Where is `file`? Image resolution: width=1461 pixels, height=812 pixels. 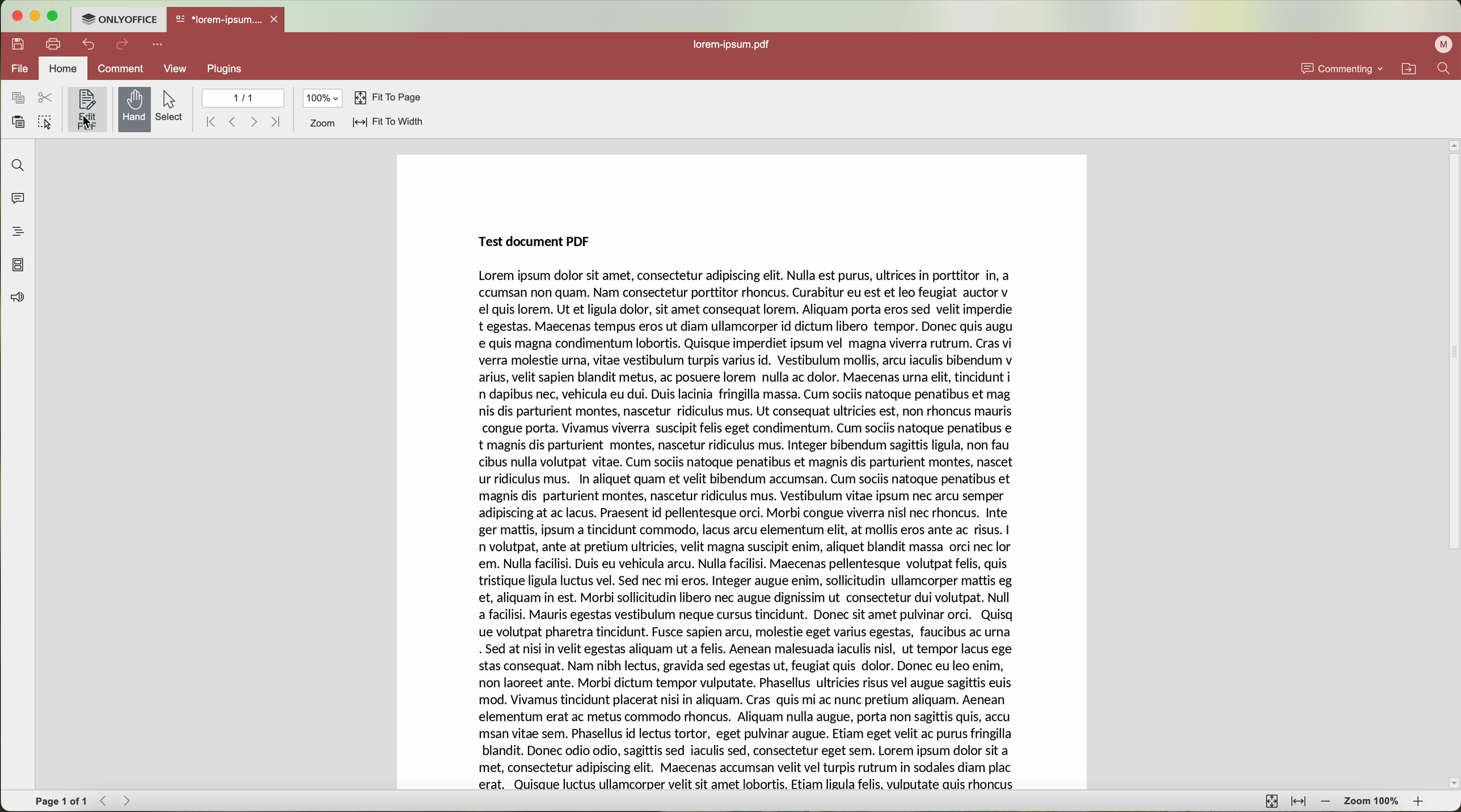
file is located at coordinates (19, 68).